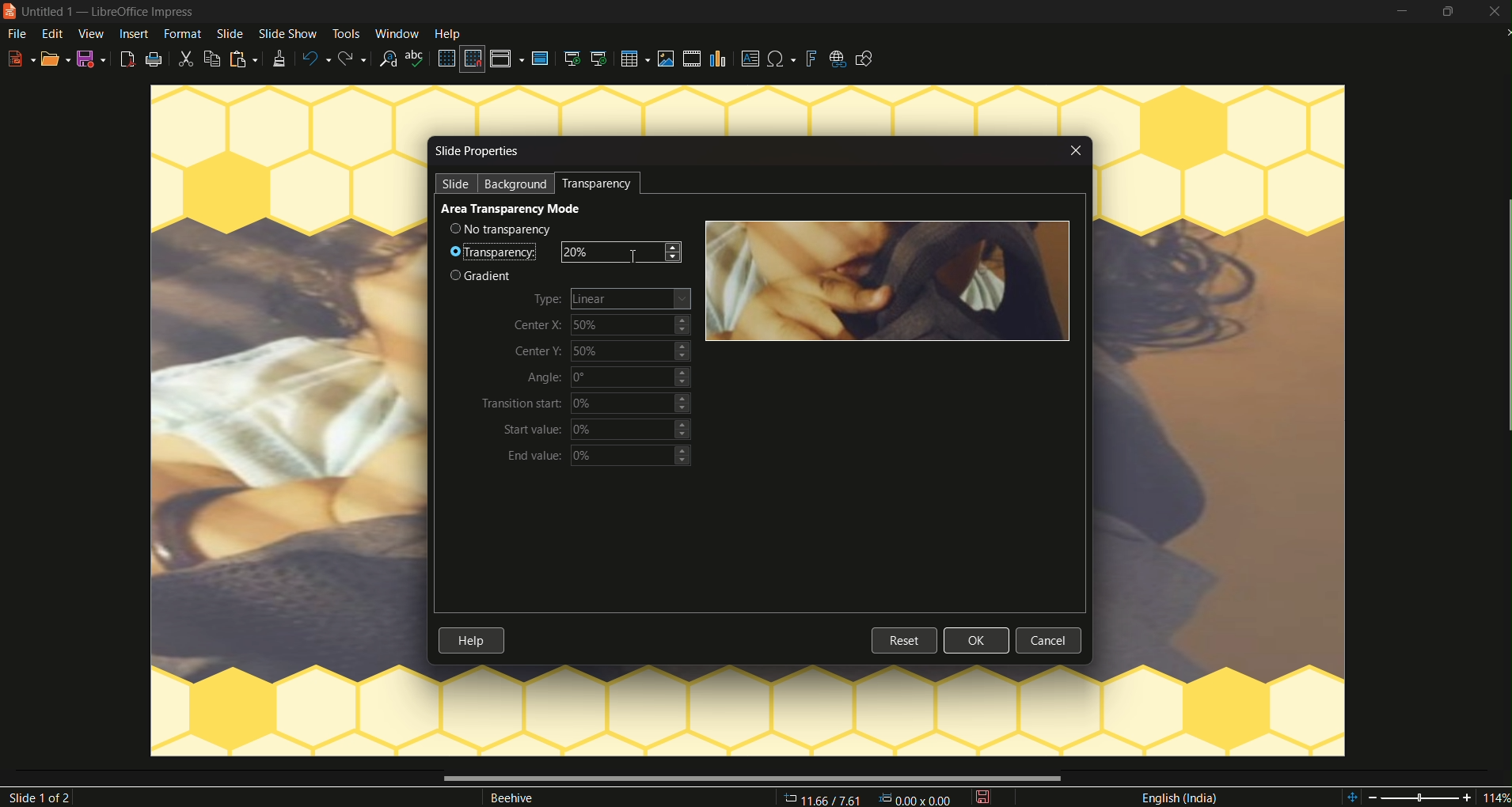  I want to click on image, so click(887, 282).